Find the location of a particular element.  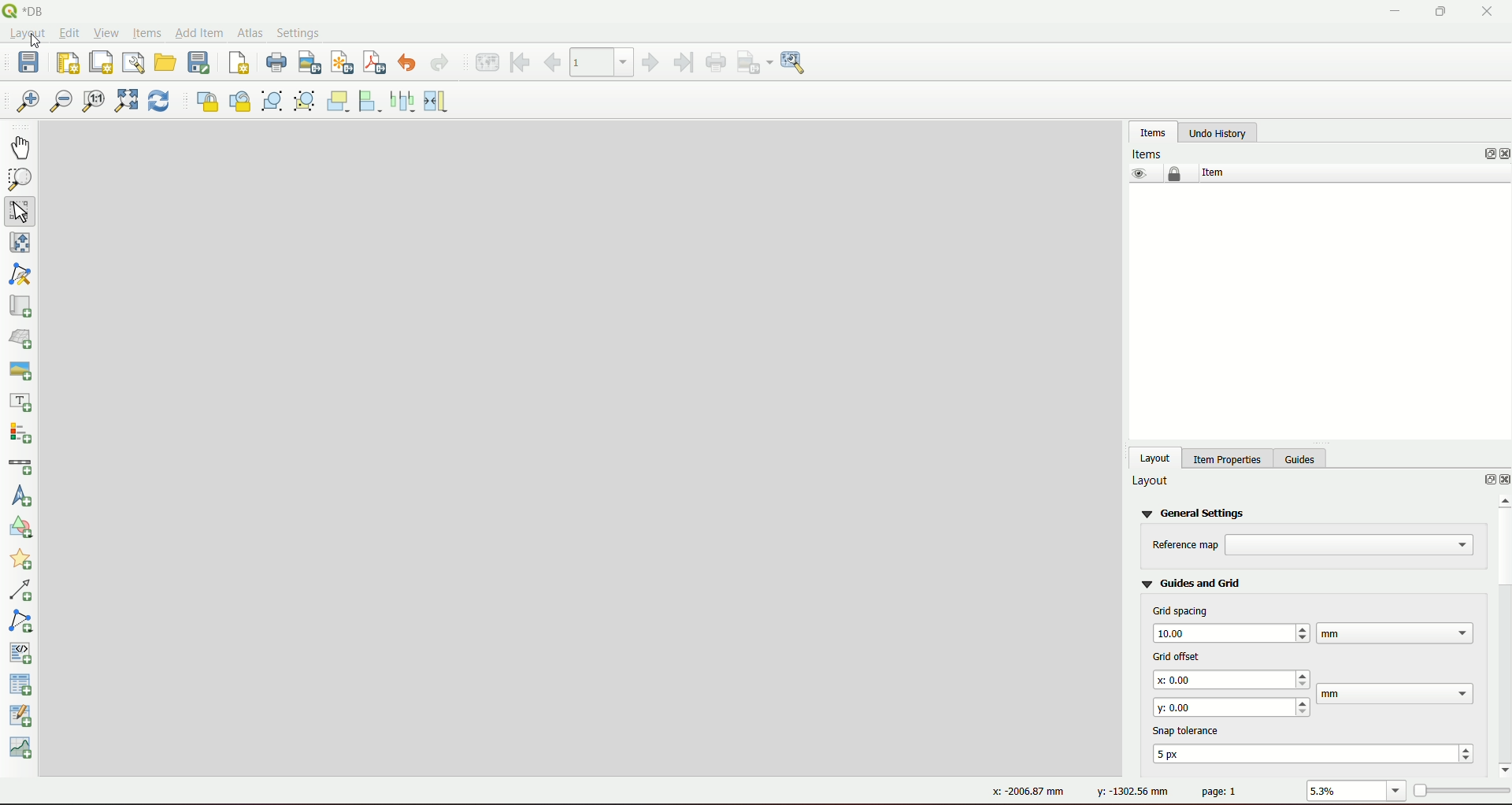

reference map is located at coordinates (1185, 545).